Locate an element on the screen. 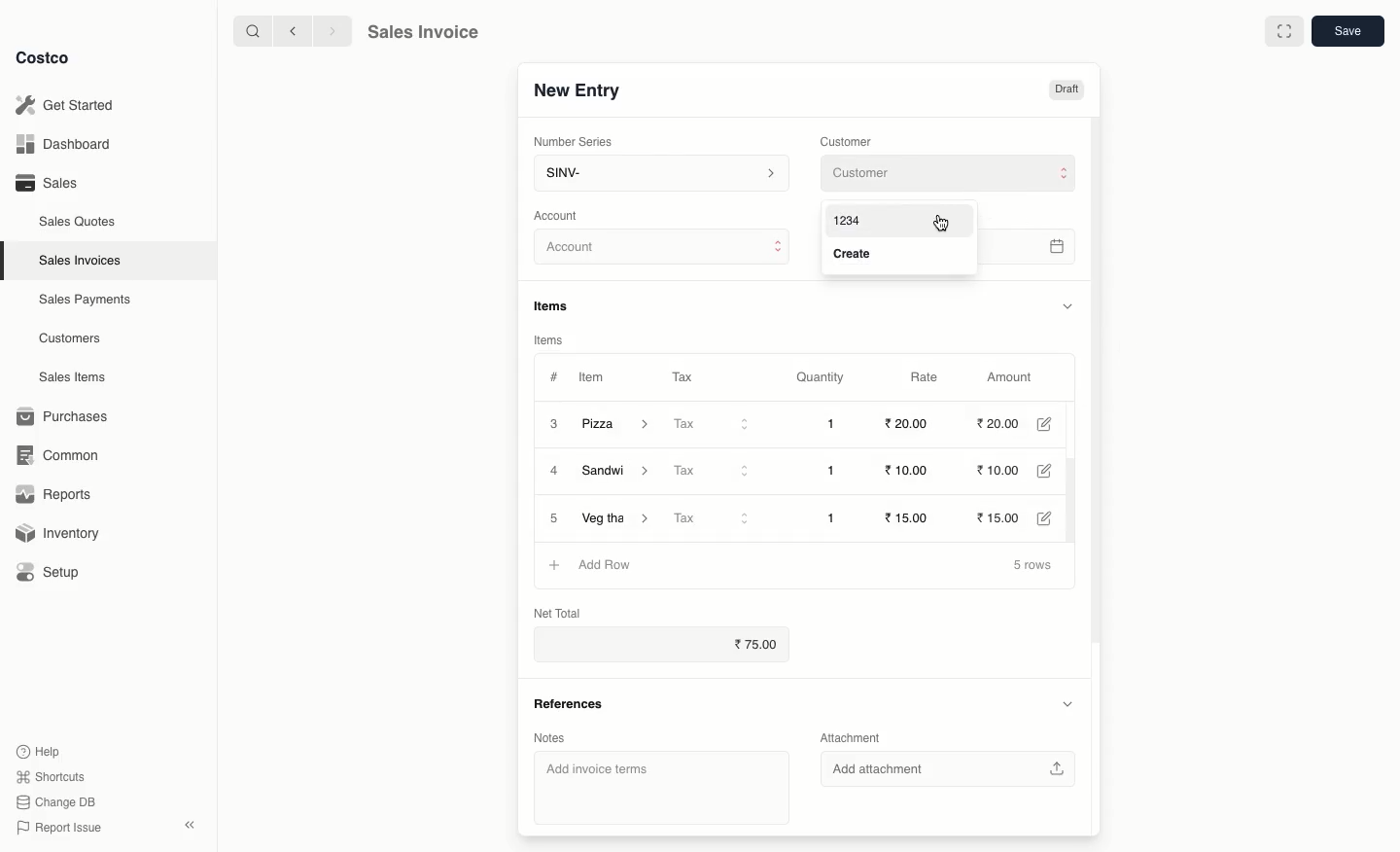 This screenshot has width=1400, height=852. SINV- is located at coordinates (660, 175).